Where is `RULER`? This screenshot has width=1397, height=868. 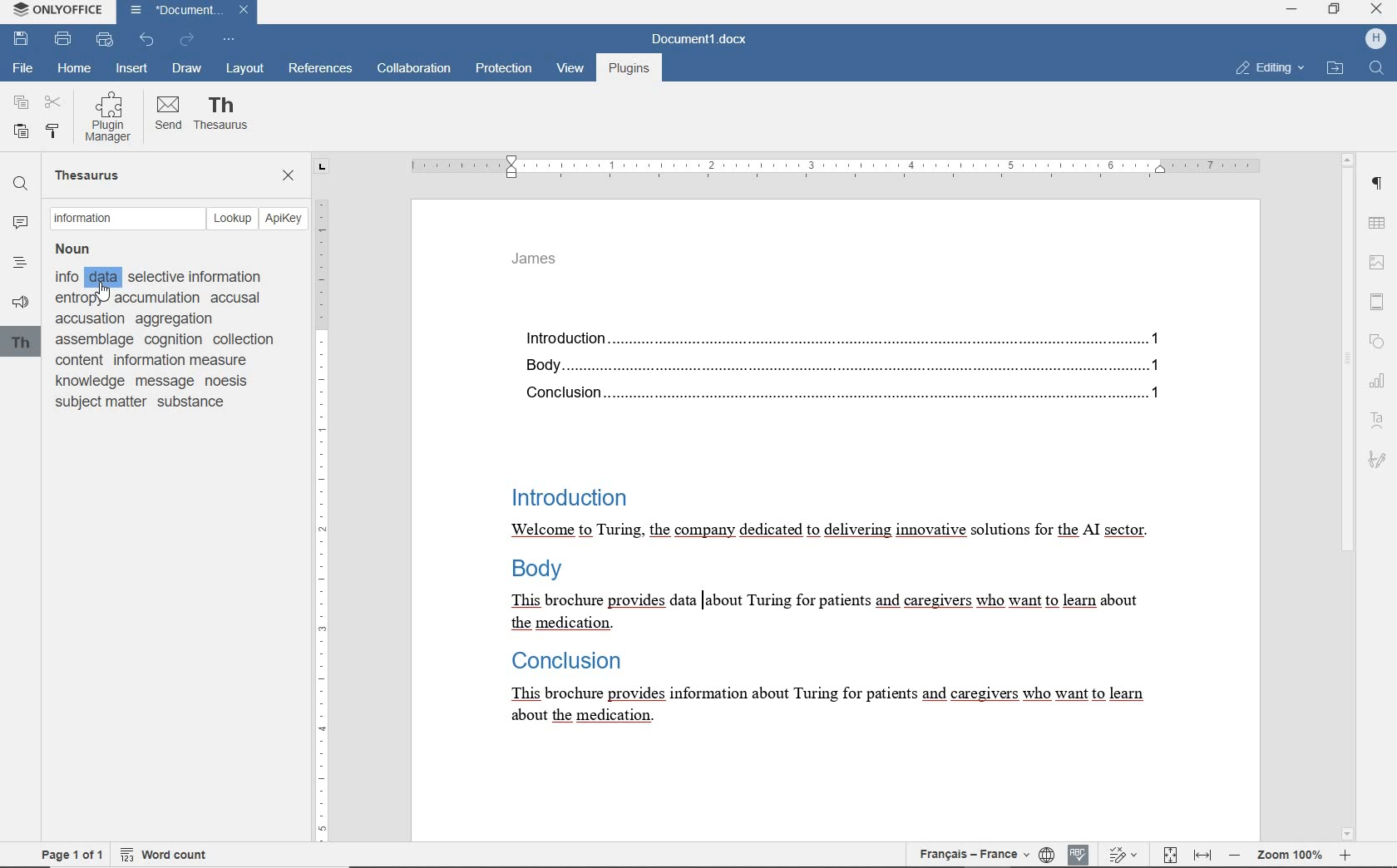
RULER is located at coordinates (830, 165).